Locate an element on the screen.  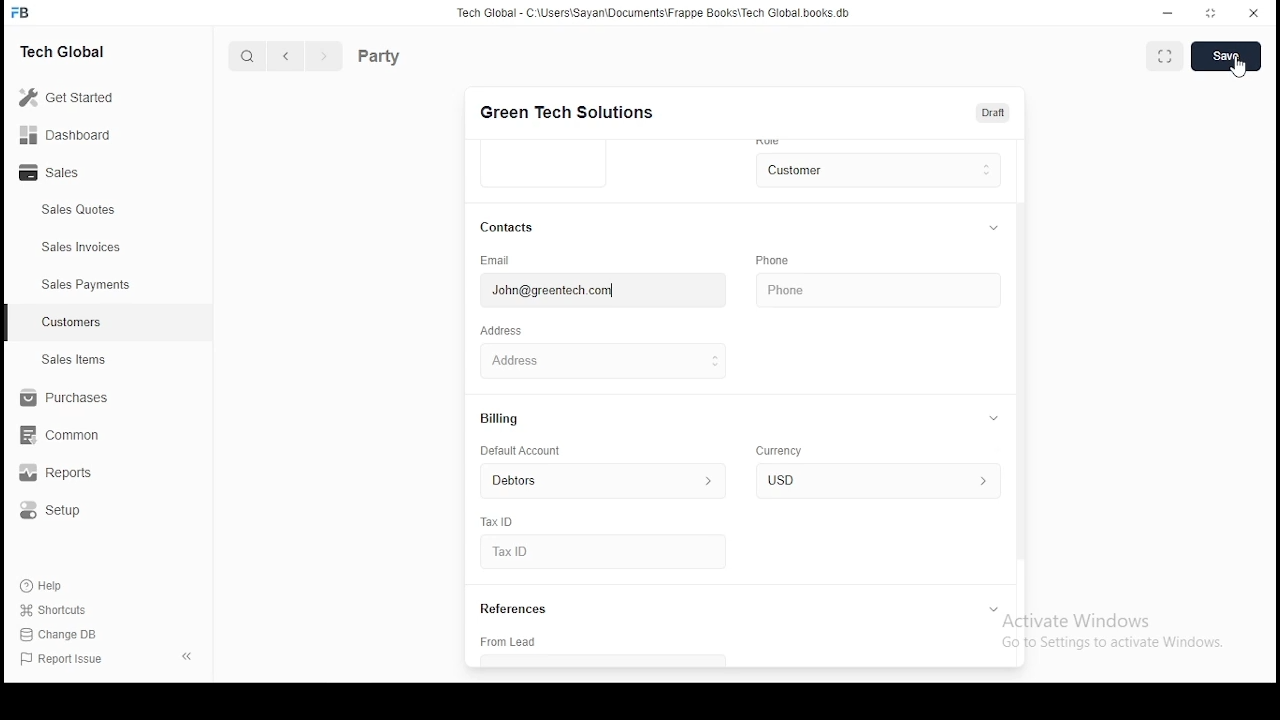
customer is located at coordinates (877, 167).